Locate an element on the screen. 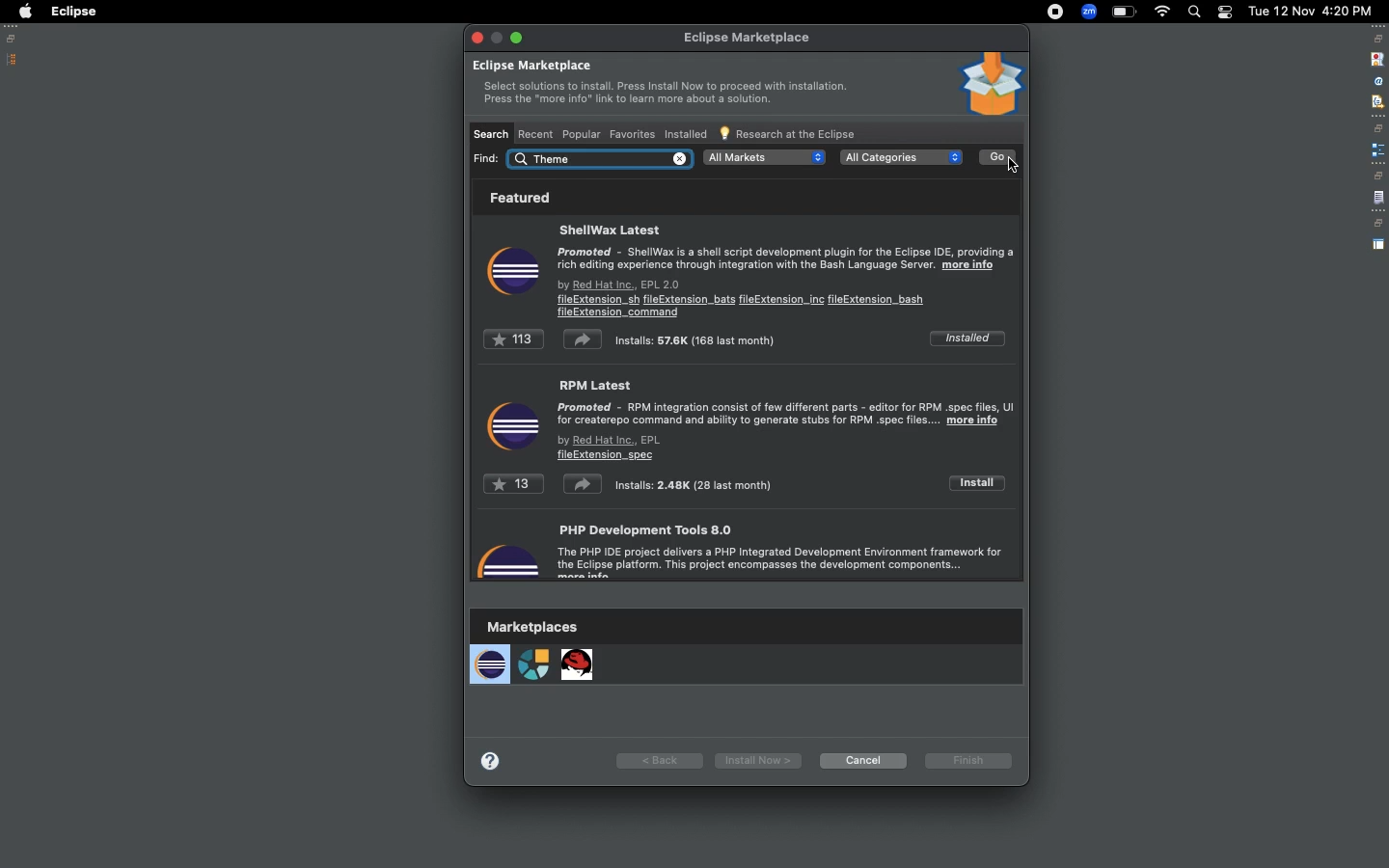 This screenshot has width=1389, height=868. Icon is located at coordinates (513, 274).